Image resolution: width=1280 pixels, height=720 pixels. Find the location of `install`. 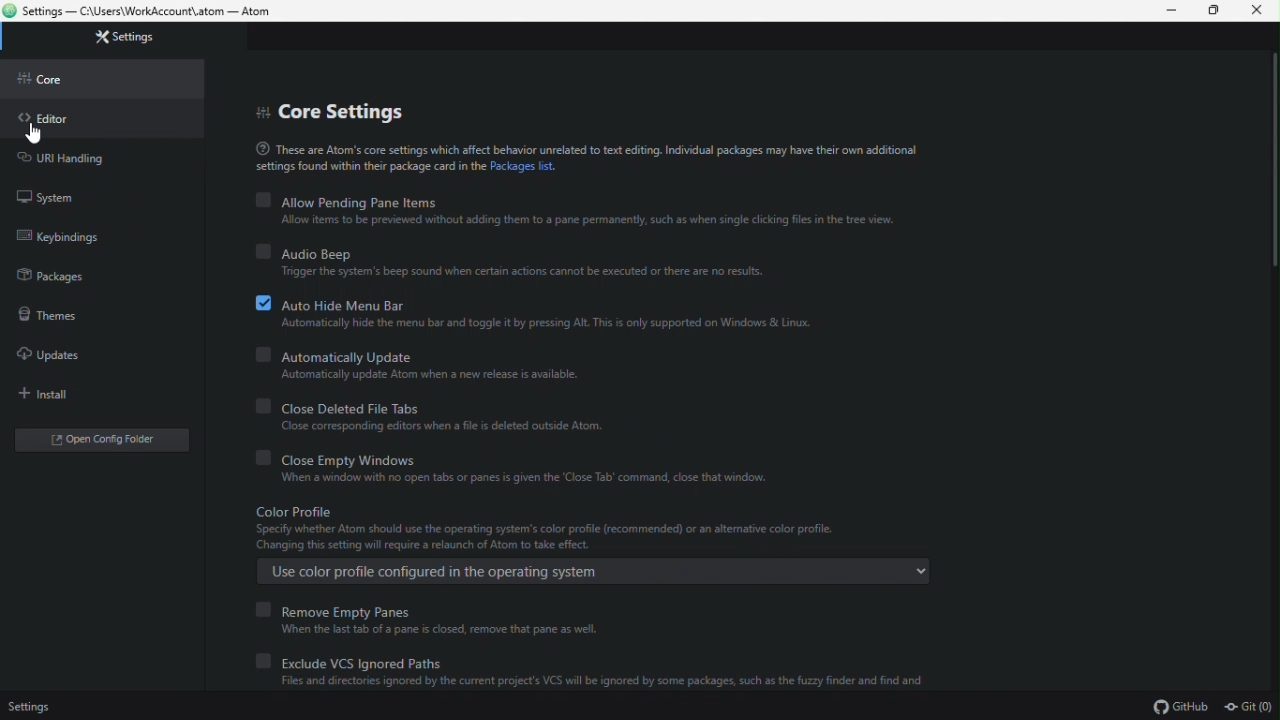

install is located at coordinates (61, 395).